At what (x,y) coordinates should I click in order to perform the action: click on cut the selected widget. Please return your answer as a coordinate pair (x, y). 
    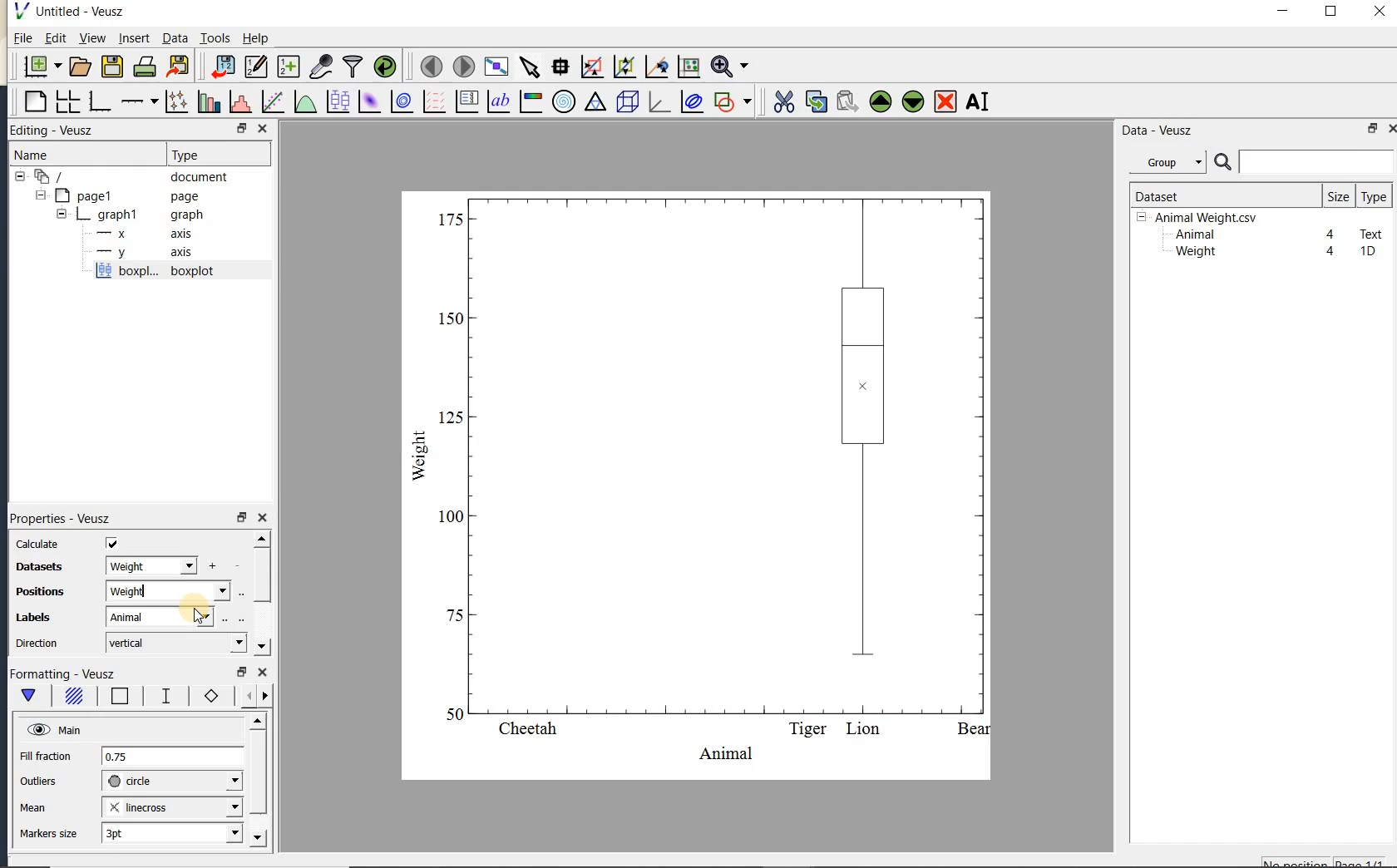
    Looking at the image, I should click on (782, 102).